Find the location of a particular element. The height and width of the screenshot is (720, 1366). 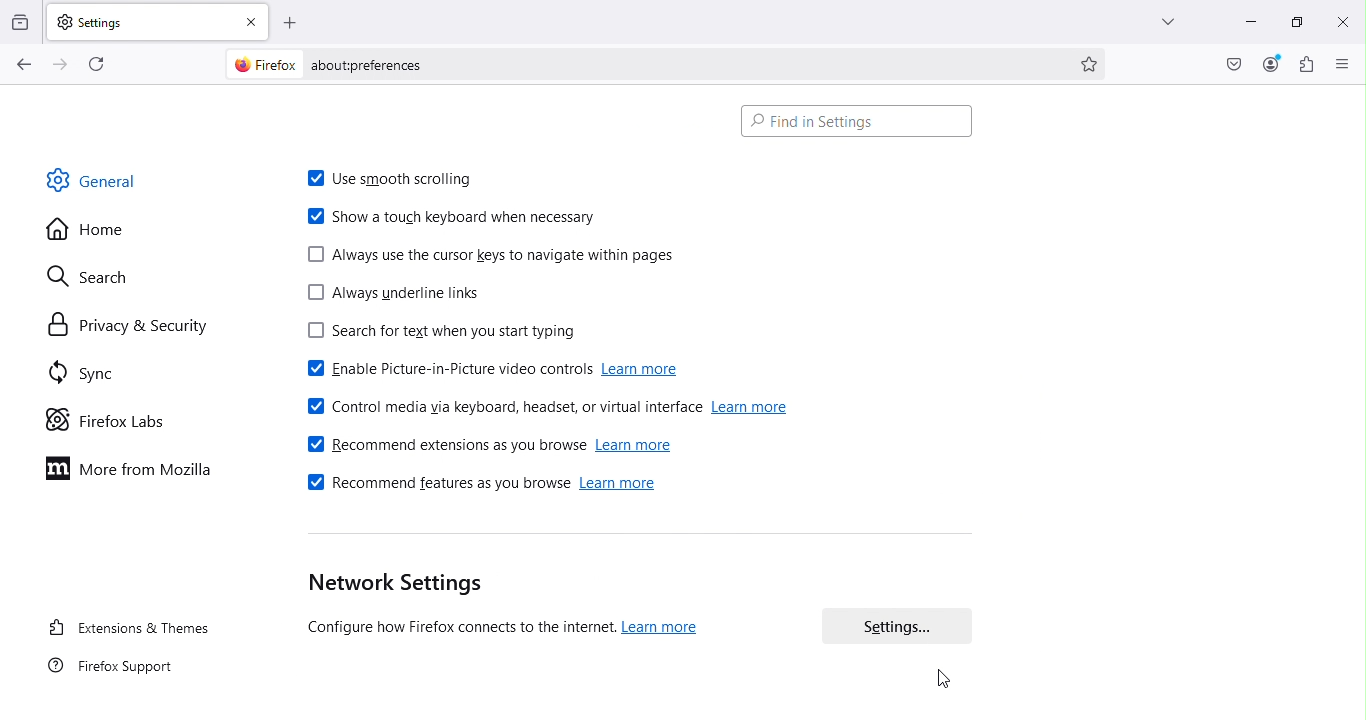

FireFox support is located at coordinates (106, 673).